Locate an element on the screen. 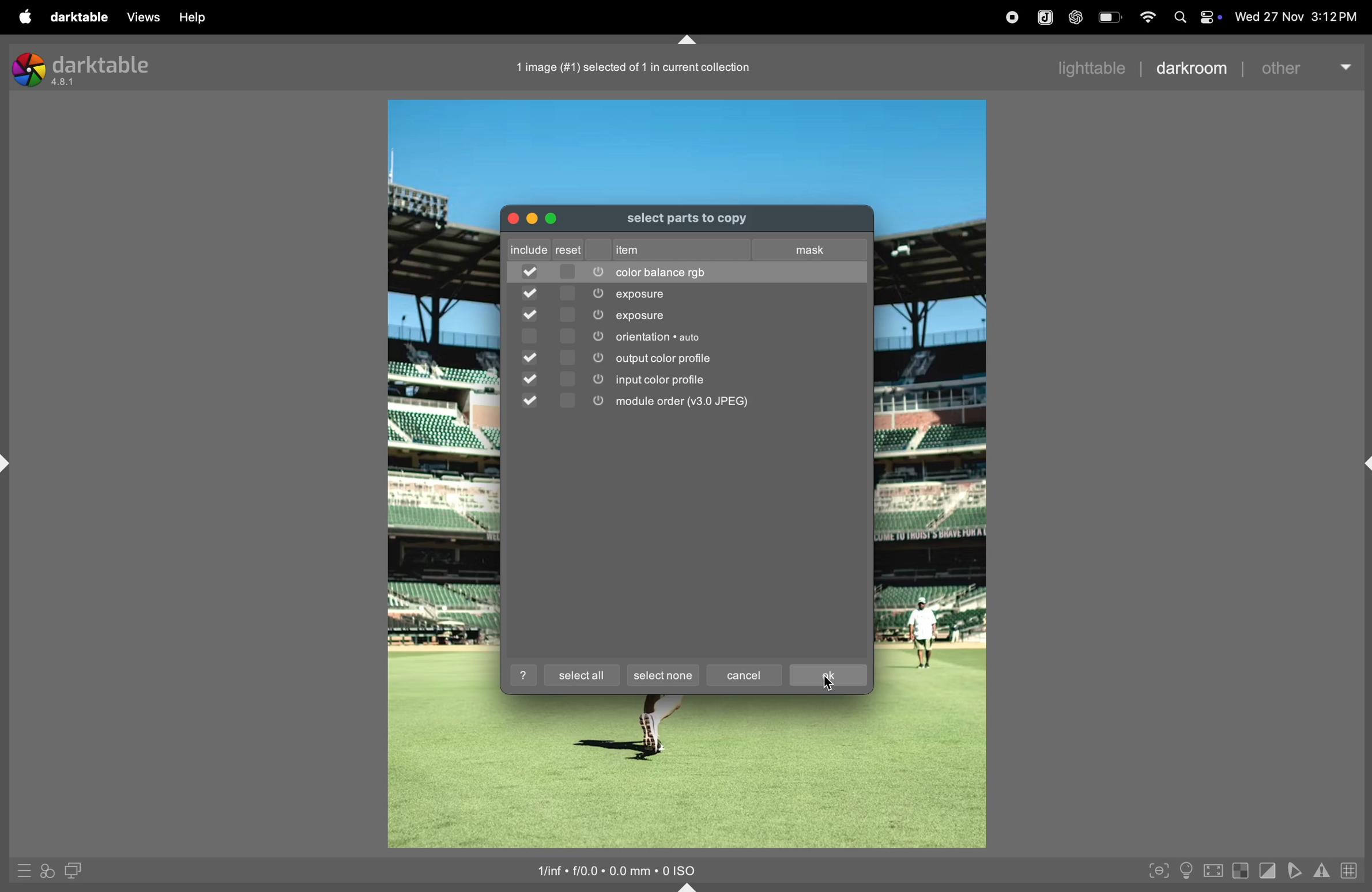  check box is located at coordinates (533, 293).